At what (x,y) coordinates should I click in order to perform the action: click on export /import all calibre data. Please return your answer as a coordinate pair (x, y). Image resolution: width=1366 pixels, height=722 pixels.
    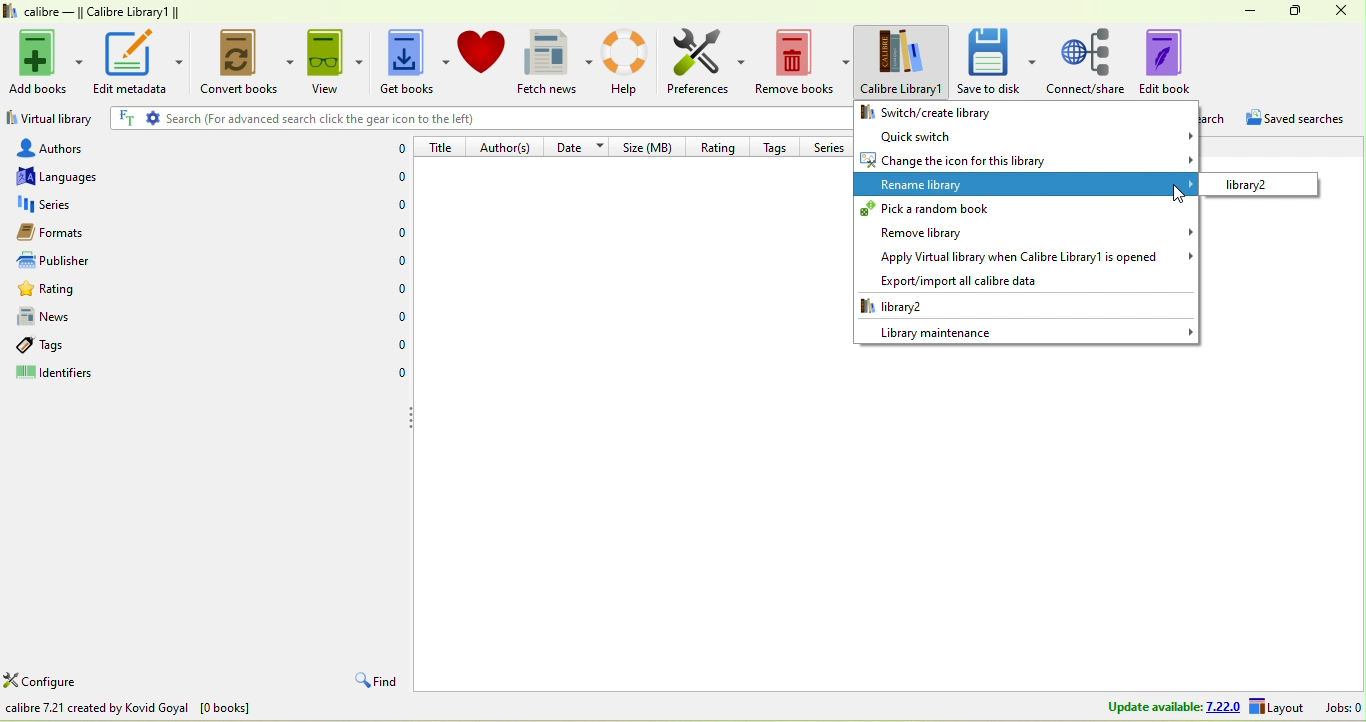
    Looking at the image, I should click on (952, 281).